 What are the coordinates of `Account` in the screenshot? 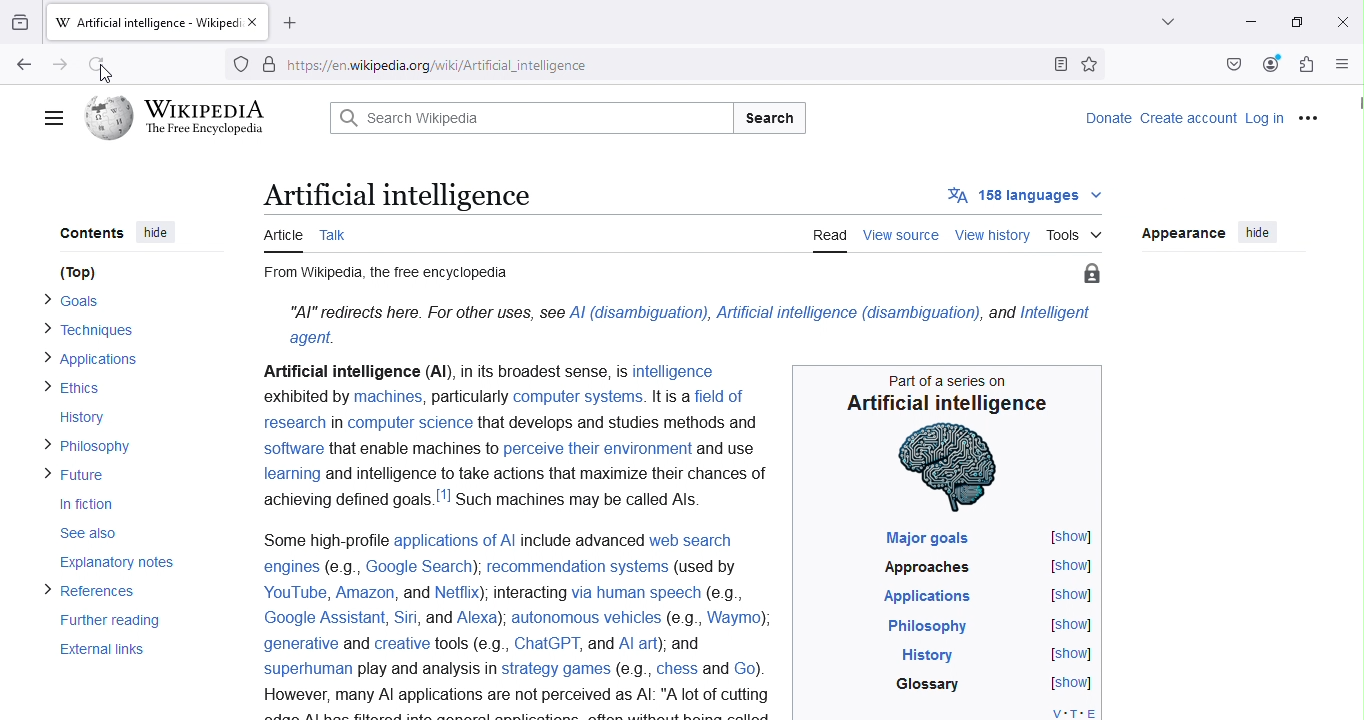 It's located at (1271, 64).